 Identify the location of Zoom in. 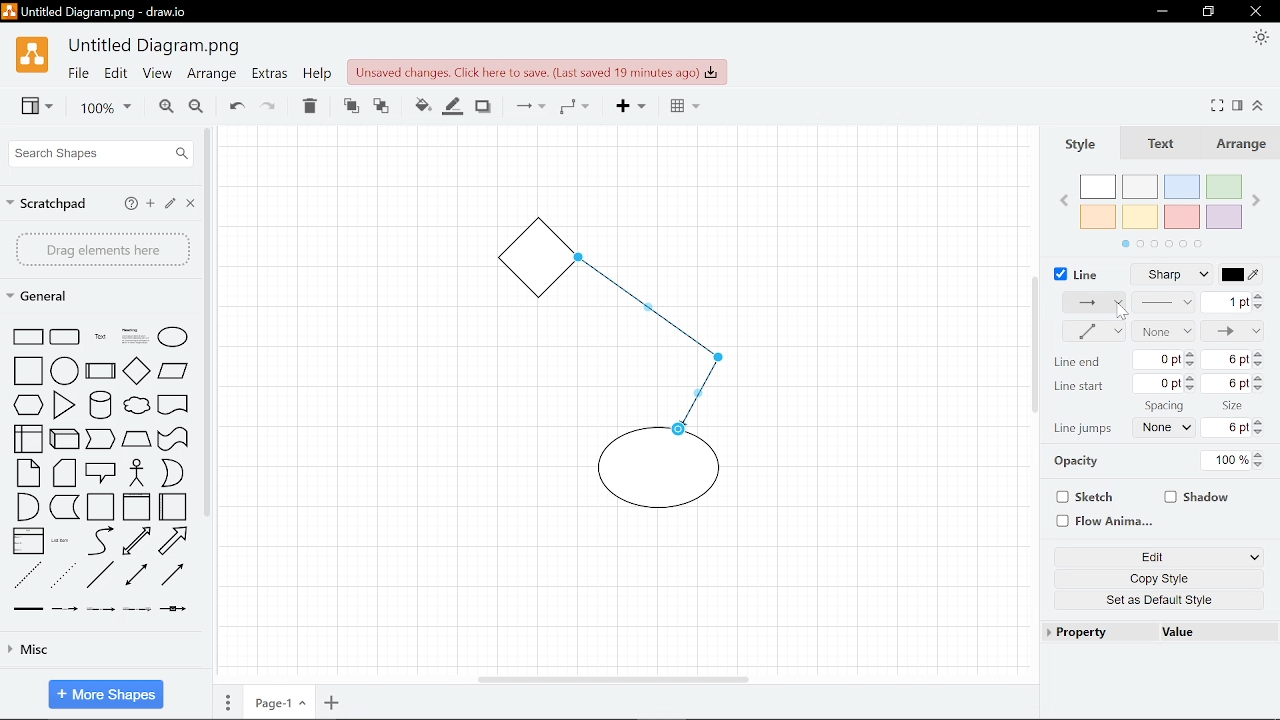
(162, 107).